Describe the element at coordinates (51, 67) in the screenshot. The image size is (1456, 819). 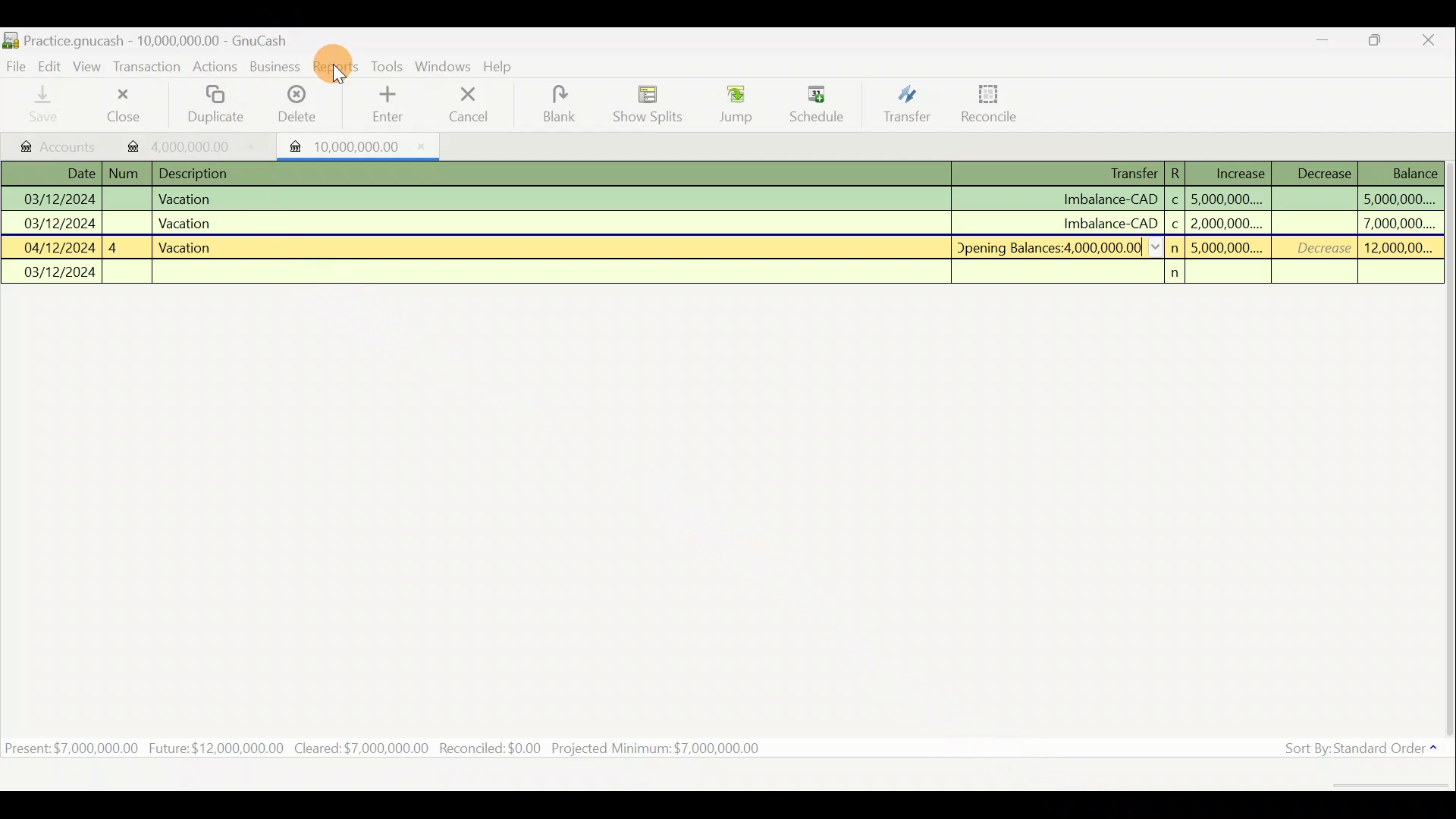
I see `Edit` at that location.